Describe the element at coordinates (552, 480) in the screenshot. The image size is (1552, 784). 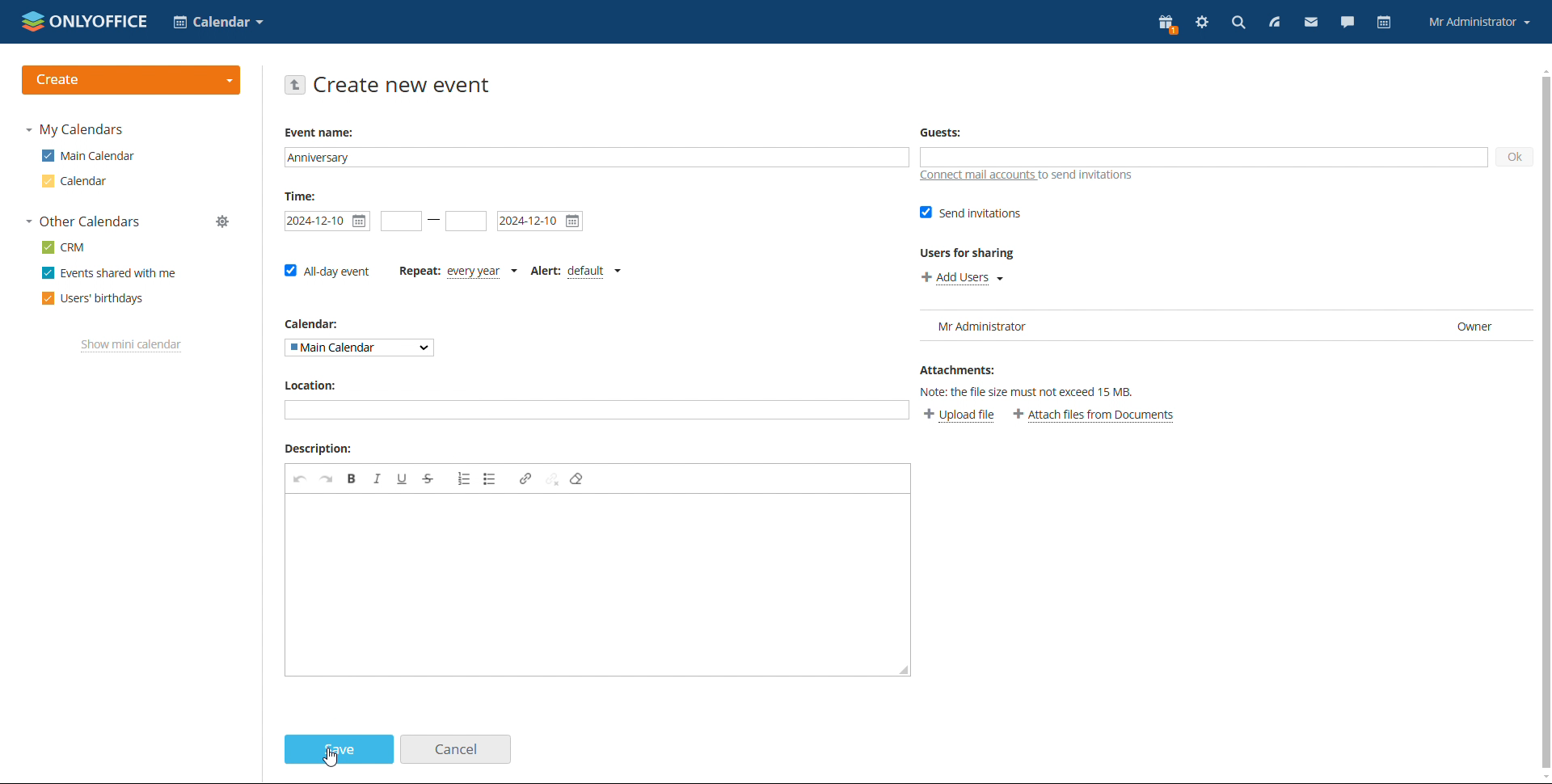
I see `unlink` at that location.